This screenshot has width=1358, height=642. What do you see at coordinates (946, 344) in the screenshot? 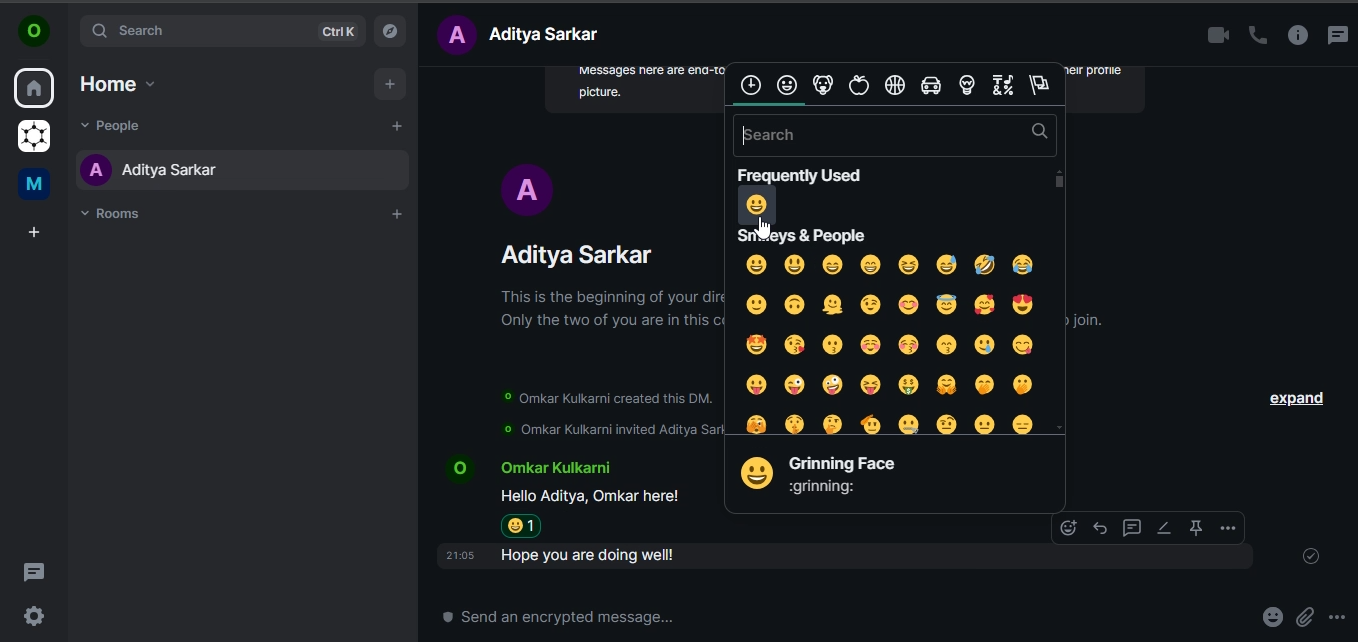
I see `kissing face with smiling face` at bounding box center [946, 344].